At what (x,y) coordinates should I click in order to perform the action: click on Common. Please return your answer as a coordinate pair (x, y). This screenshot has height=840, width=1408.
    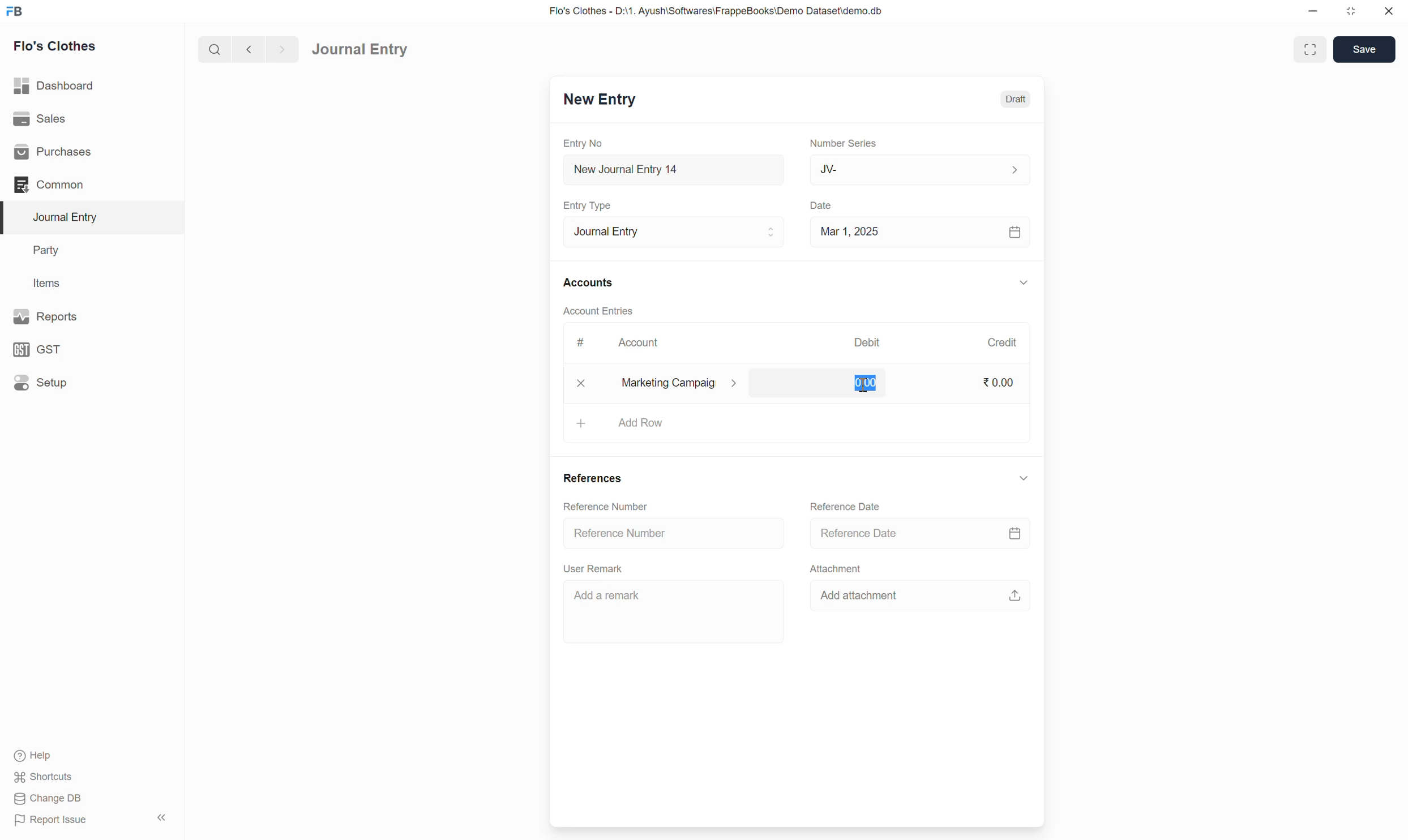
    Looking at the image, I should click on (50, 185).